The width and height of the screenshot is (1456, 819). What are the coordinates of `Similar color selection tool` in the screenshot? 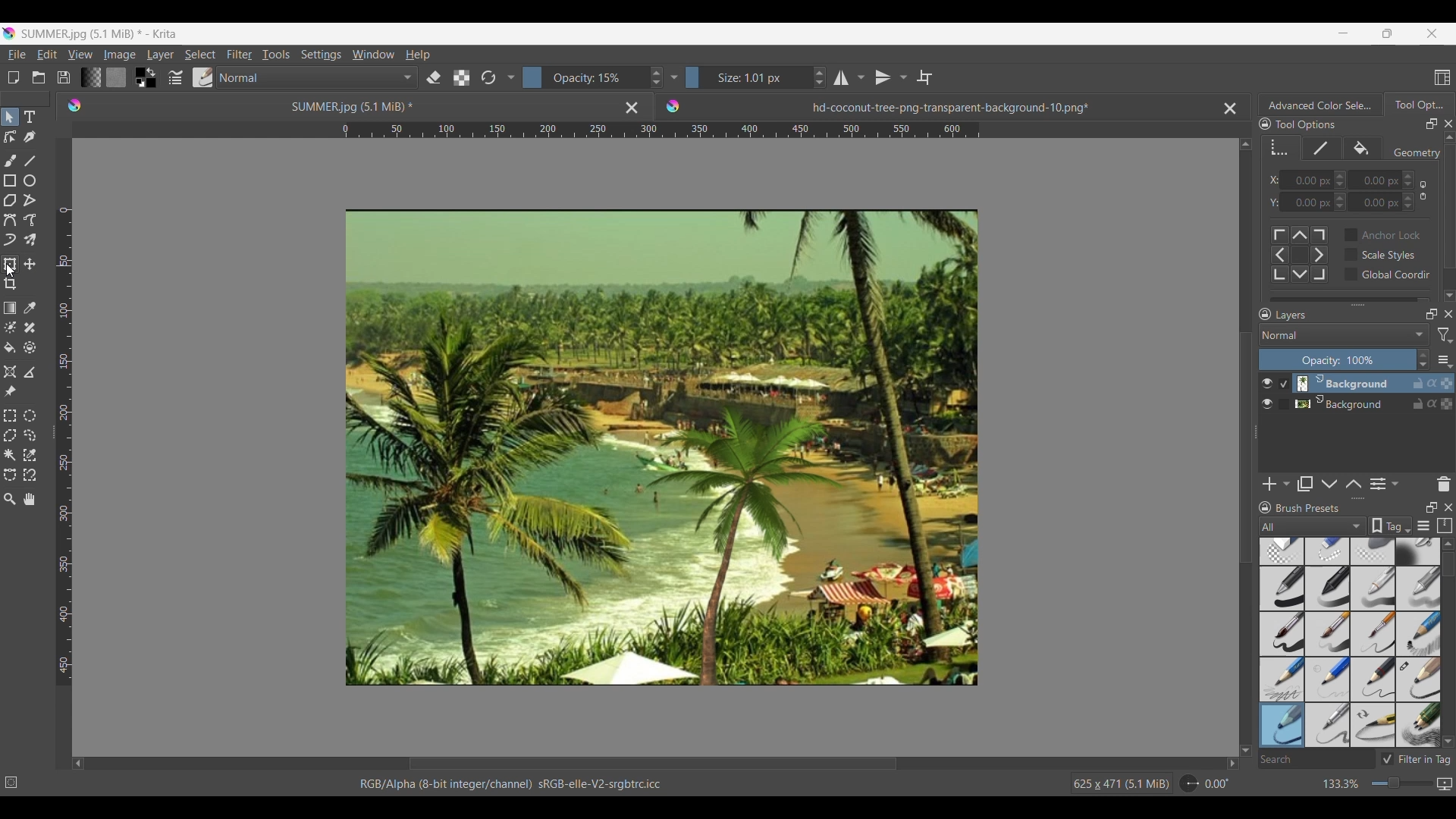 It's located at (30, 454).